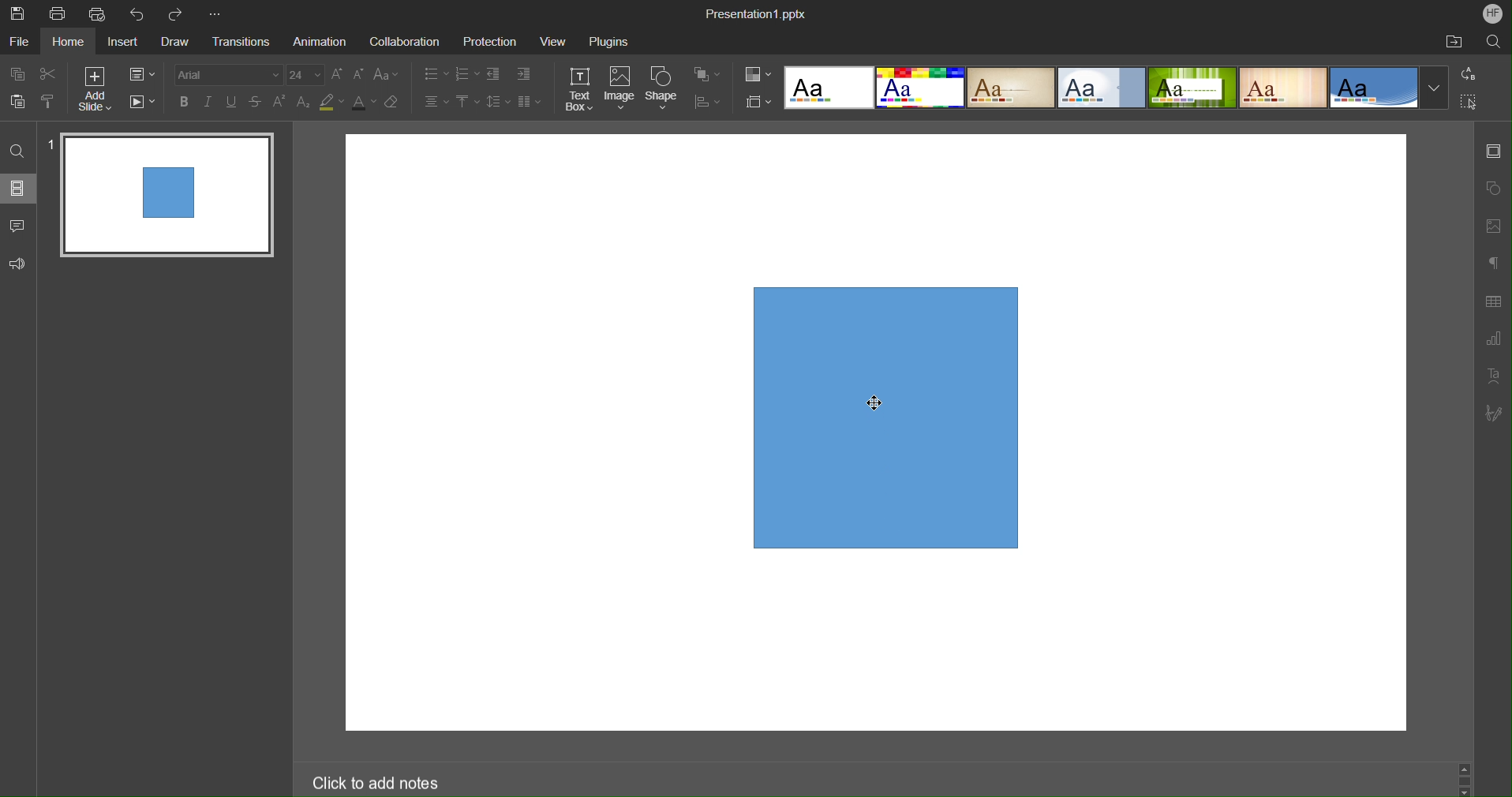 The image size is (1512, 797). I want to click on Search, so click(1494, 41).